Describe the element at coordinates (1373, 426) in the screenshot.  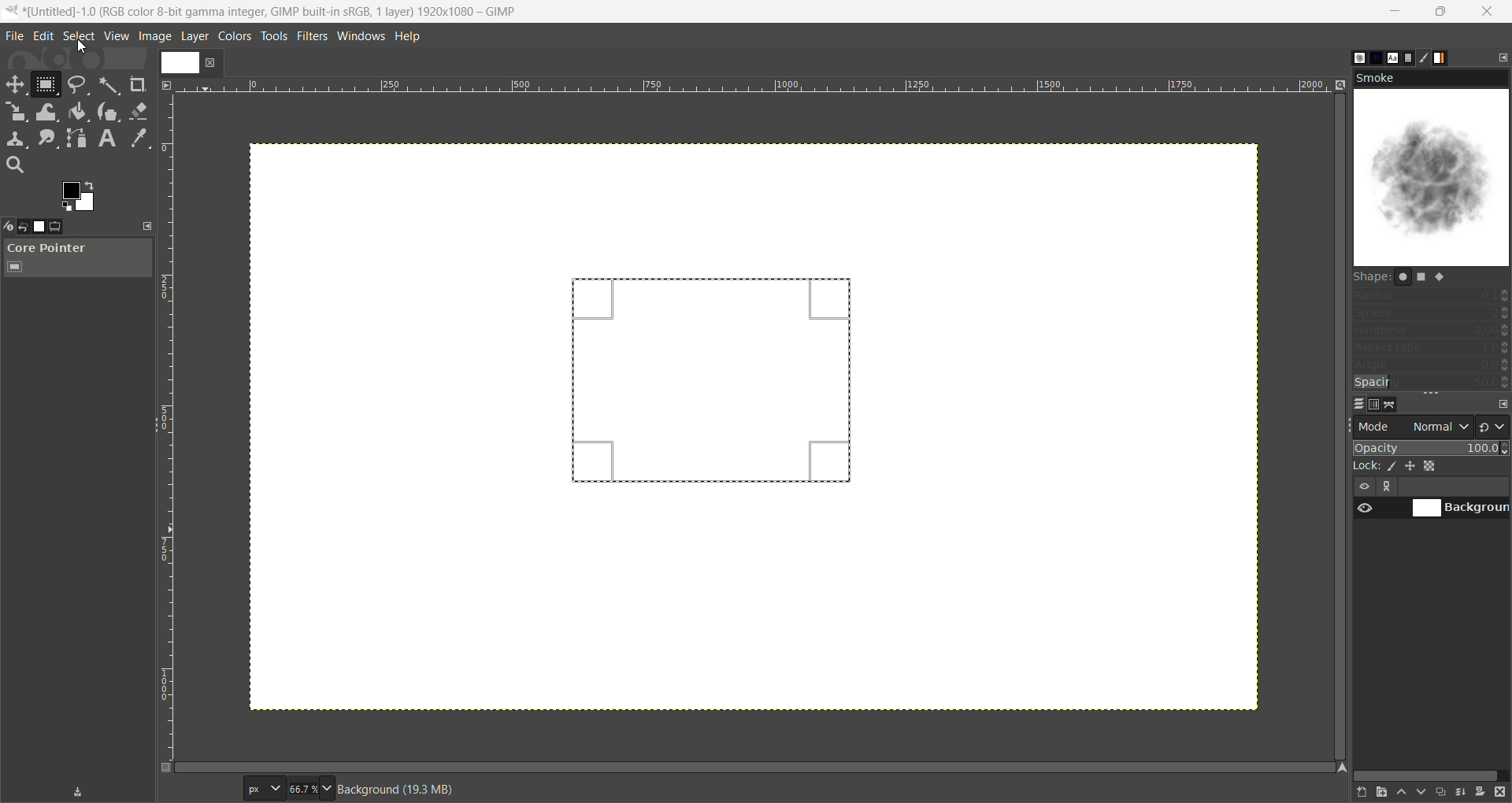
I see `mode` at that location.